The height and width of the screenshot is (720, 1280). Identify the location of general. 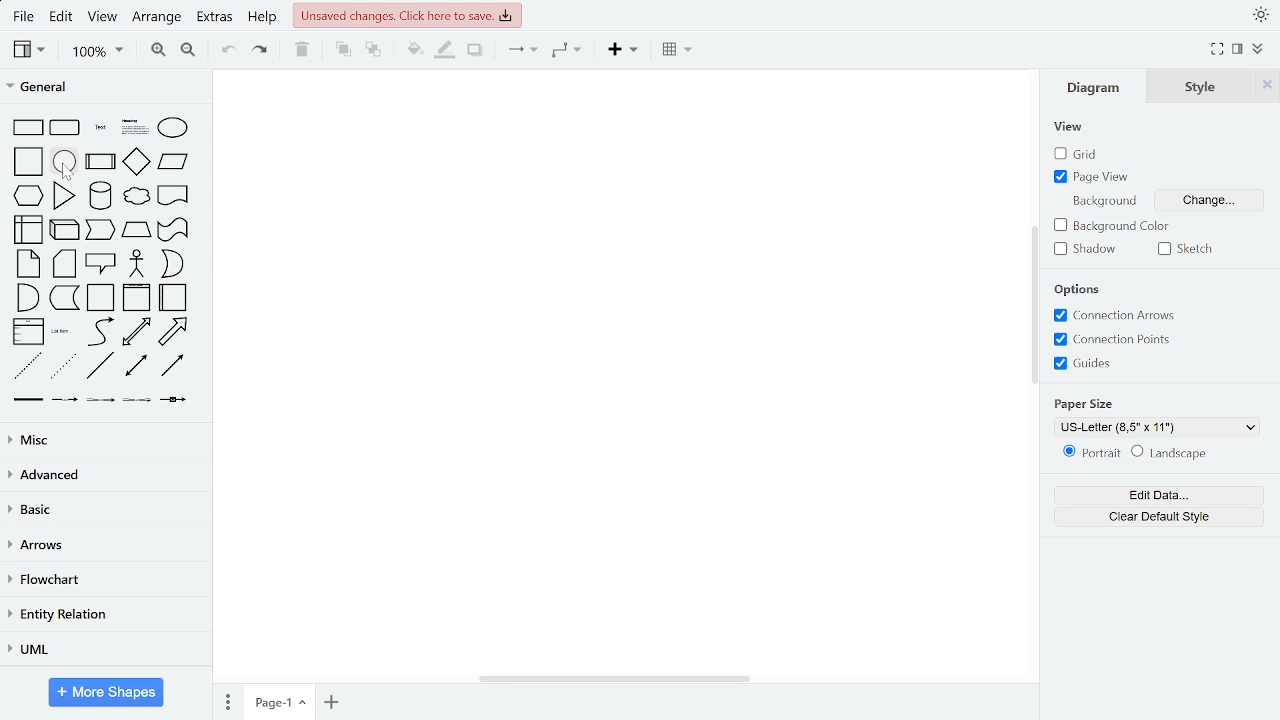
(104, 88).